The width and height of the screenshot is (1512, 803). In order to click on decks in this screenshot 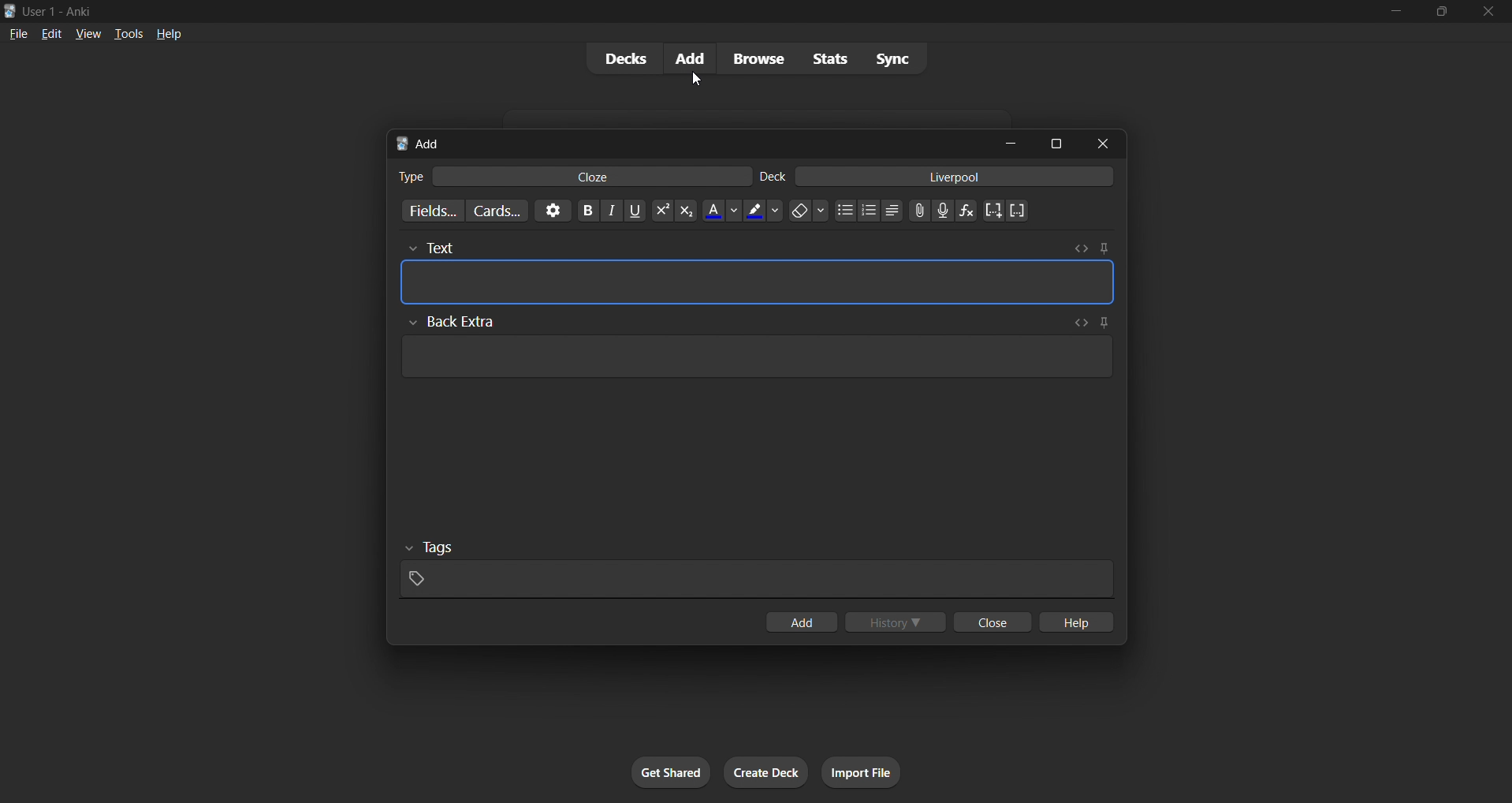, I will do `click(623, 58)`.